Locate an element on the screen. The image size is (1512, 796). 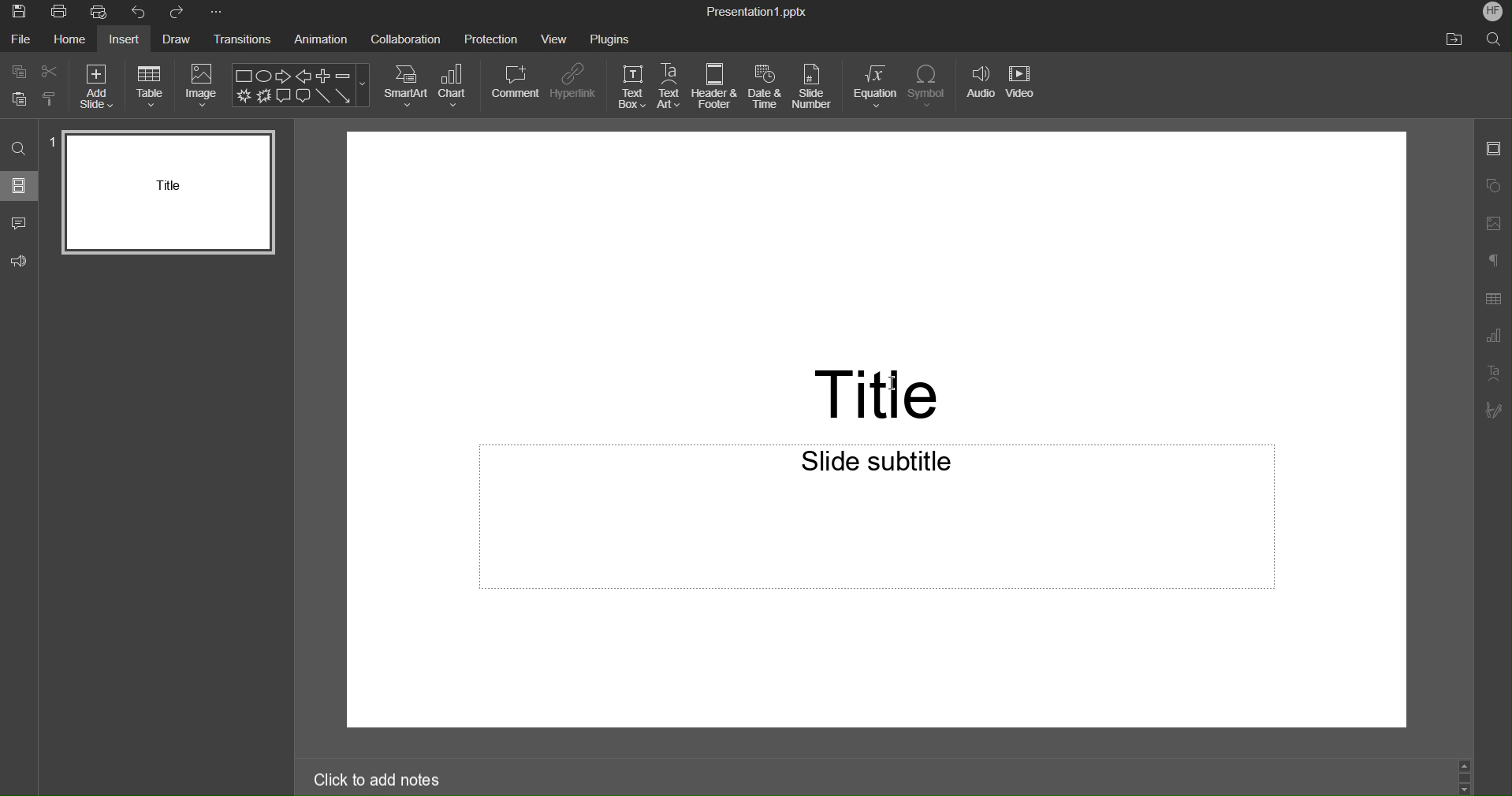
Shape Menu is located at coordinates (302, 85).